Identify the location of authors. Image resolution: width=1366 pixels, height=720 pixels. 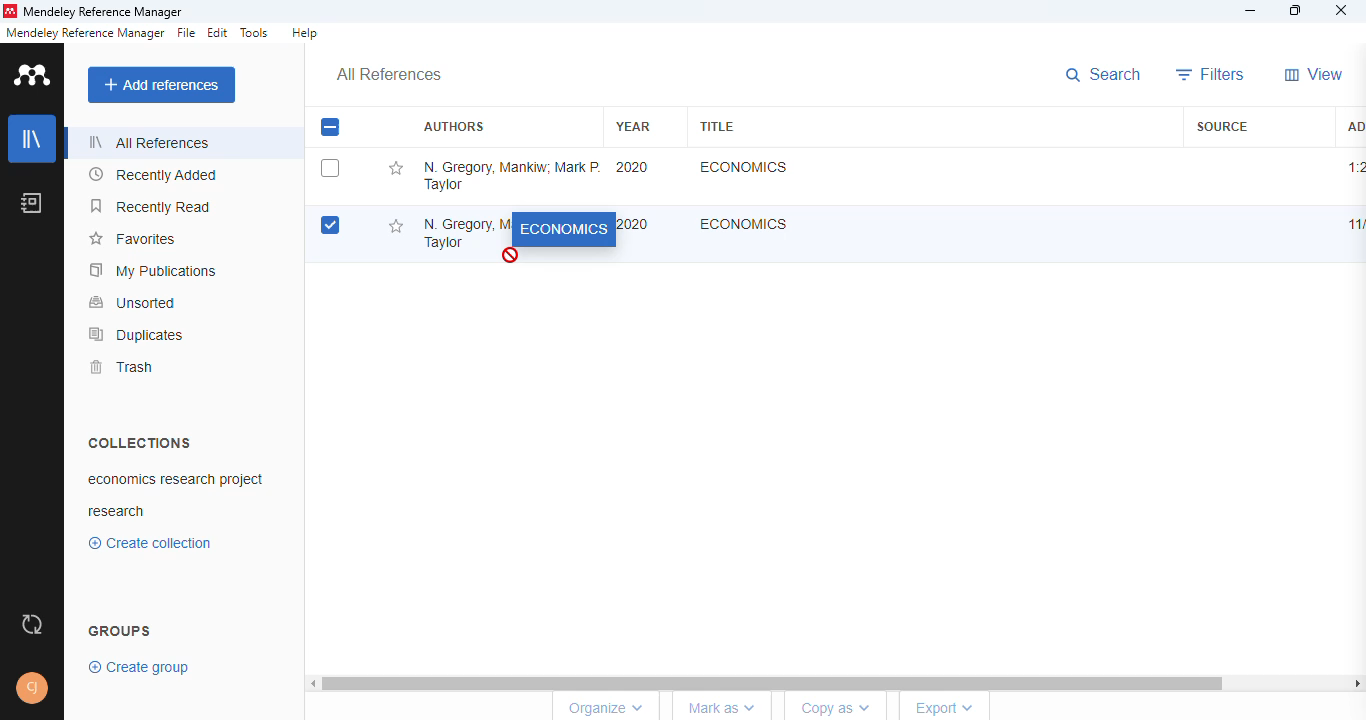
(453, 127).